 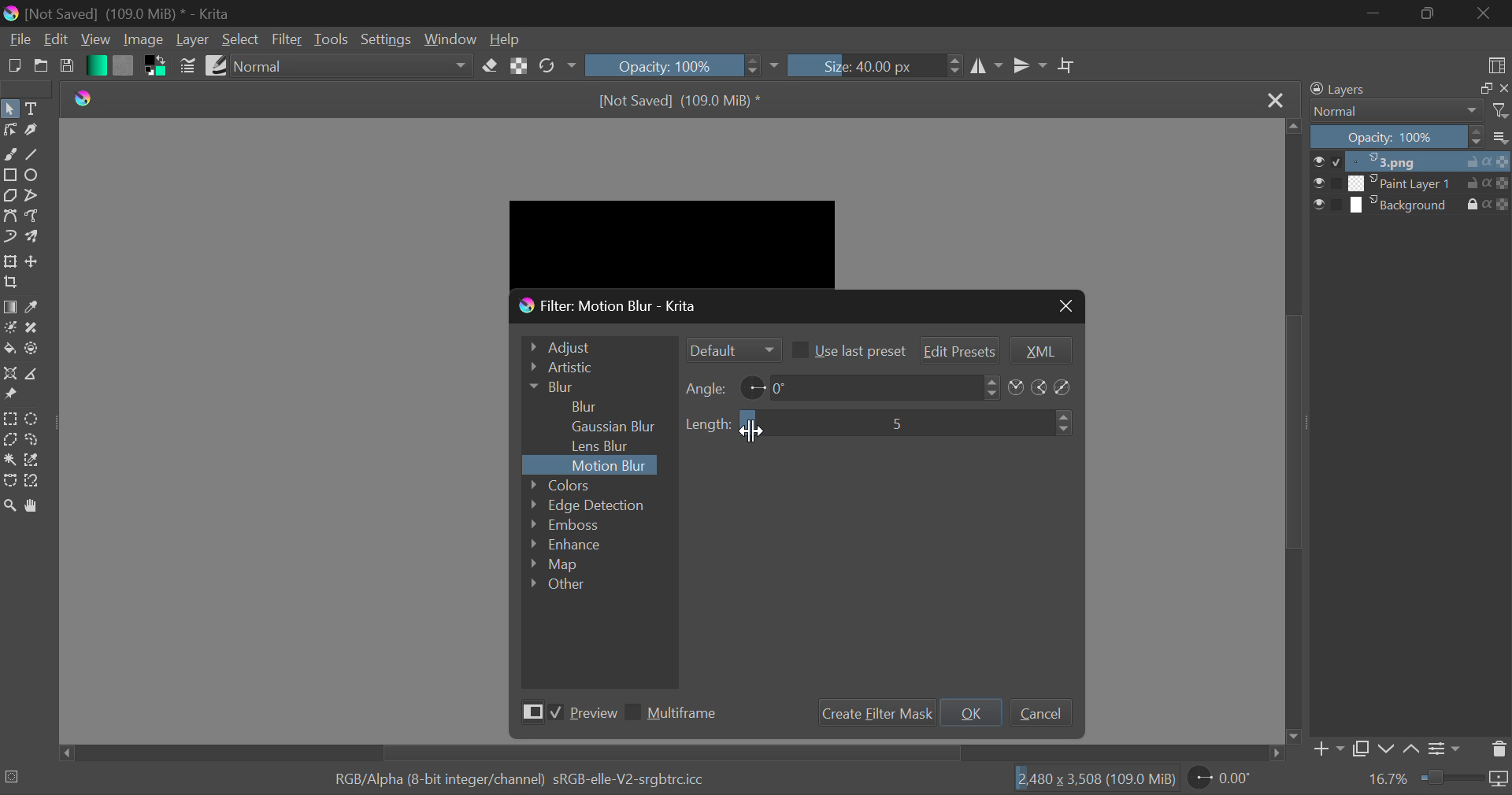 I want to click on Text, so click(x=35, y=107).